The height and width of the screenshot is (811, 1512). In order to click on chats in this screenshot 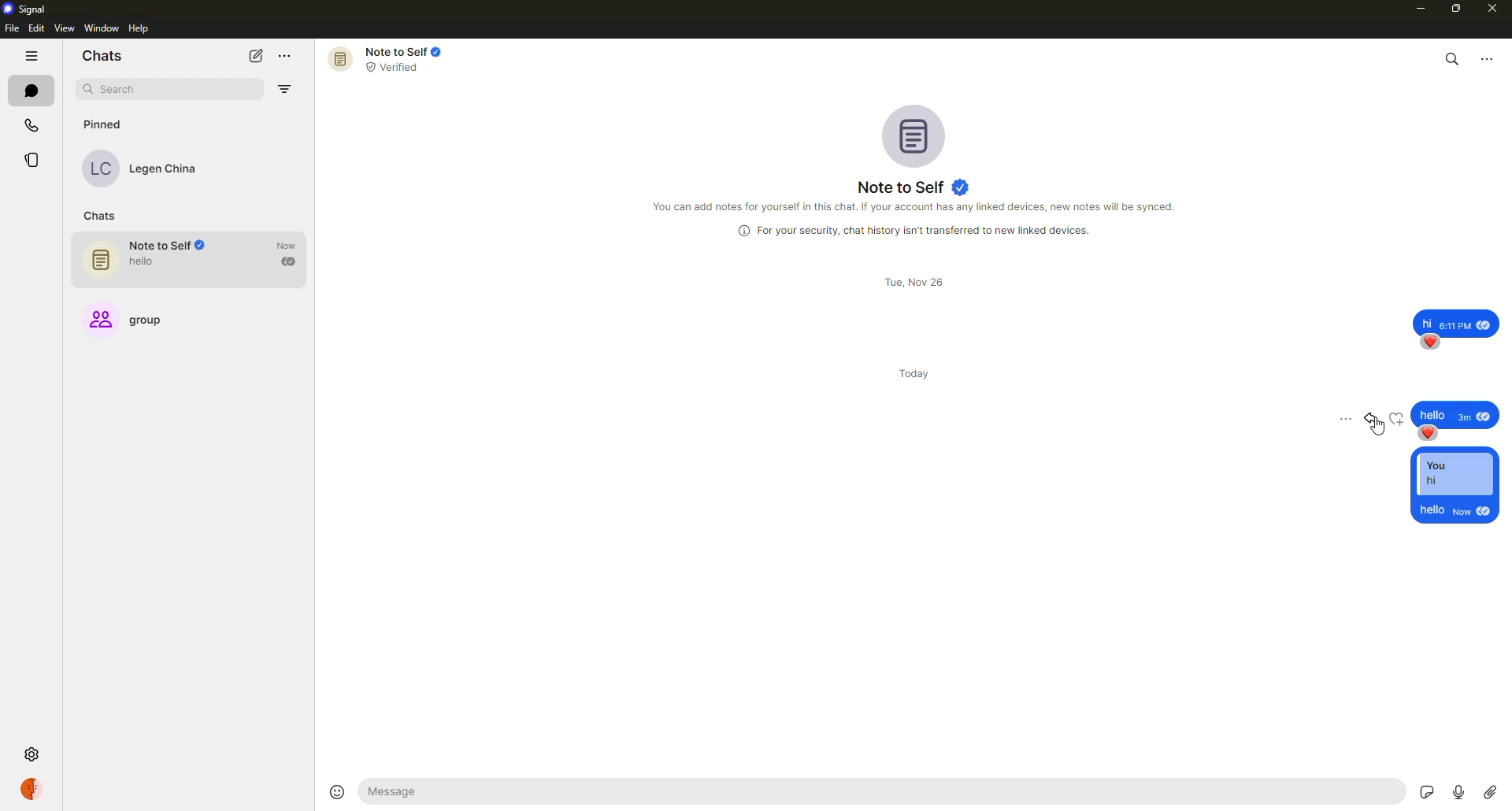, I will do `click(31, 91)`.